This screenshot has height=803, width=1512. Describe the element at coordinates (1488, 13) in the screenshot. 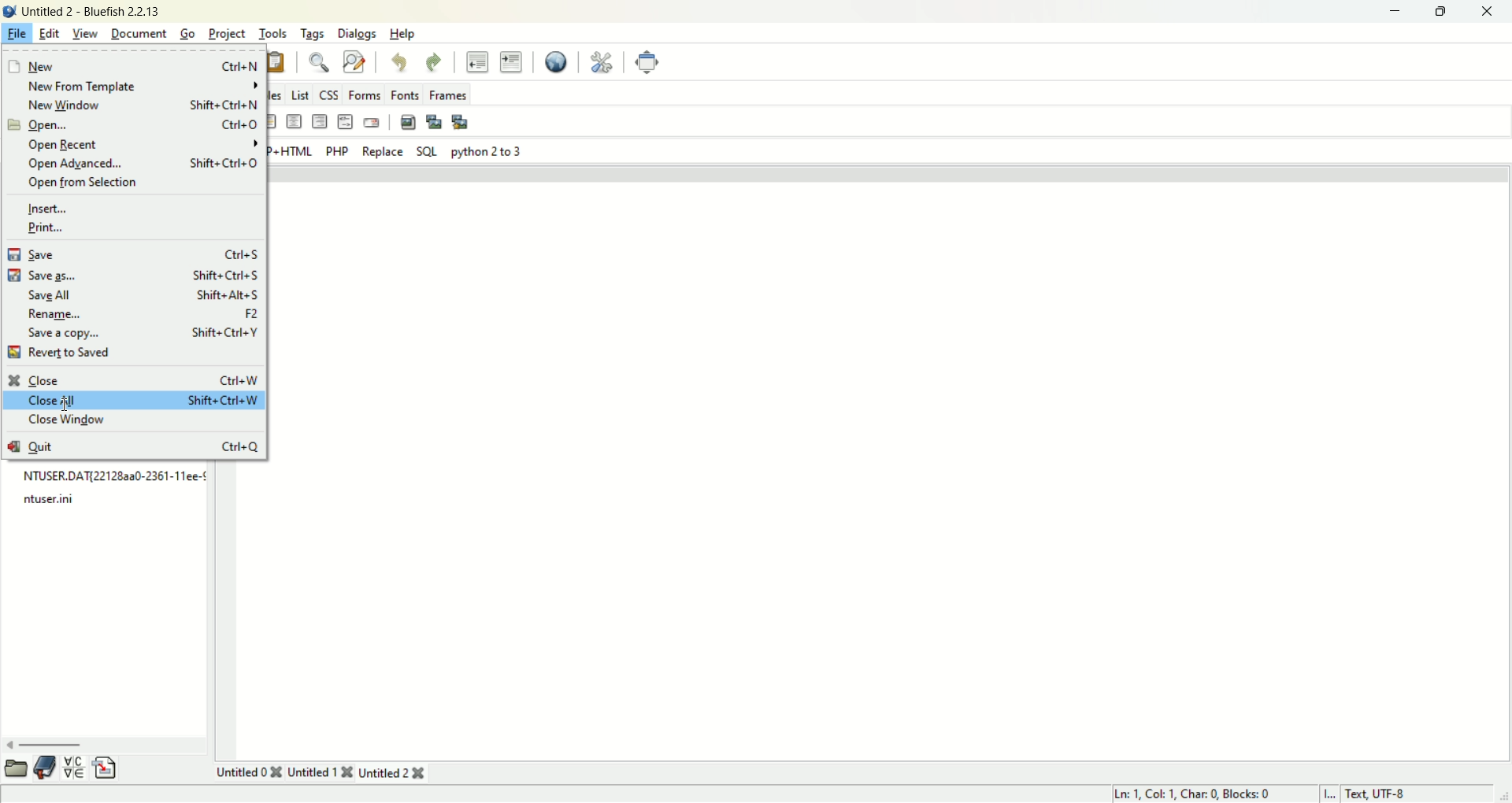

I see `close` at that location.